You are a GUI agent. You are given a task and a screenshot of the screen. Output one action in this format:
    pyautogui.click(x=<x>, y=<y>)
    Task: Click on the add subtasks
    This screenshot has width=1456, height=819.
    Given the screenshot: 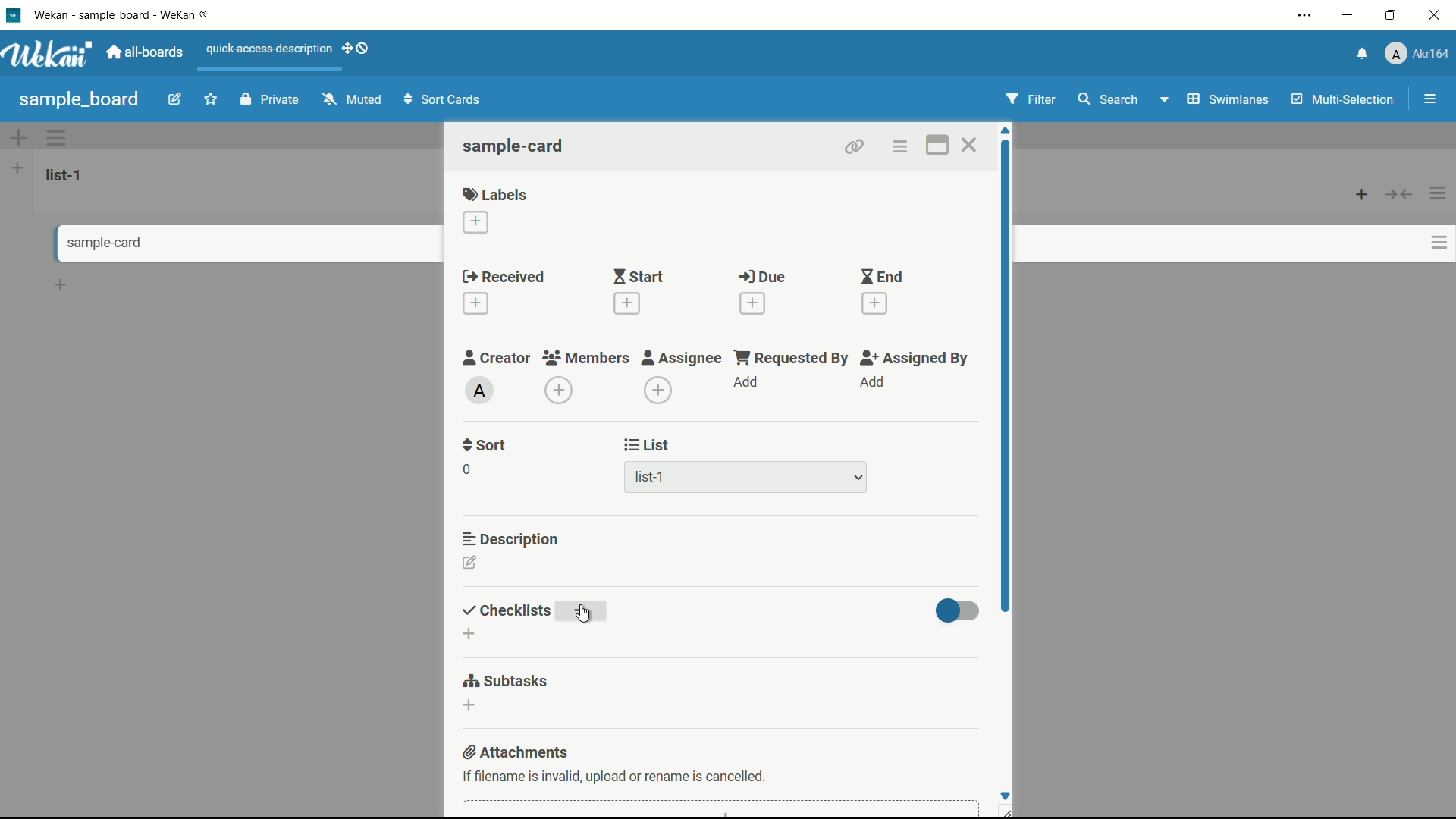 What is the action you would take?
    pyautogui.click(x=468, y=706)
    